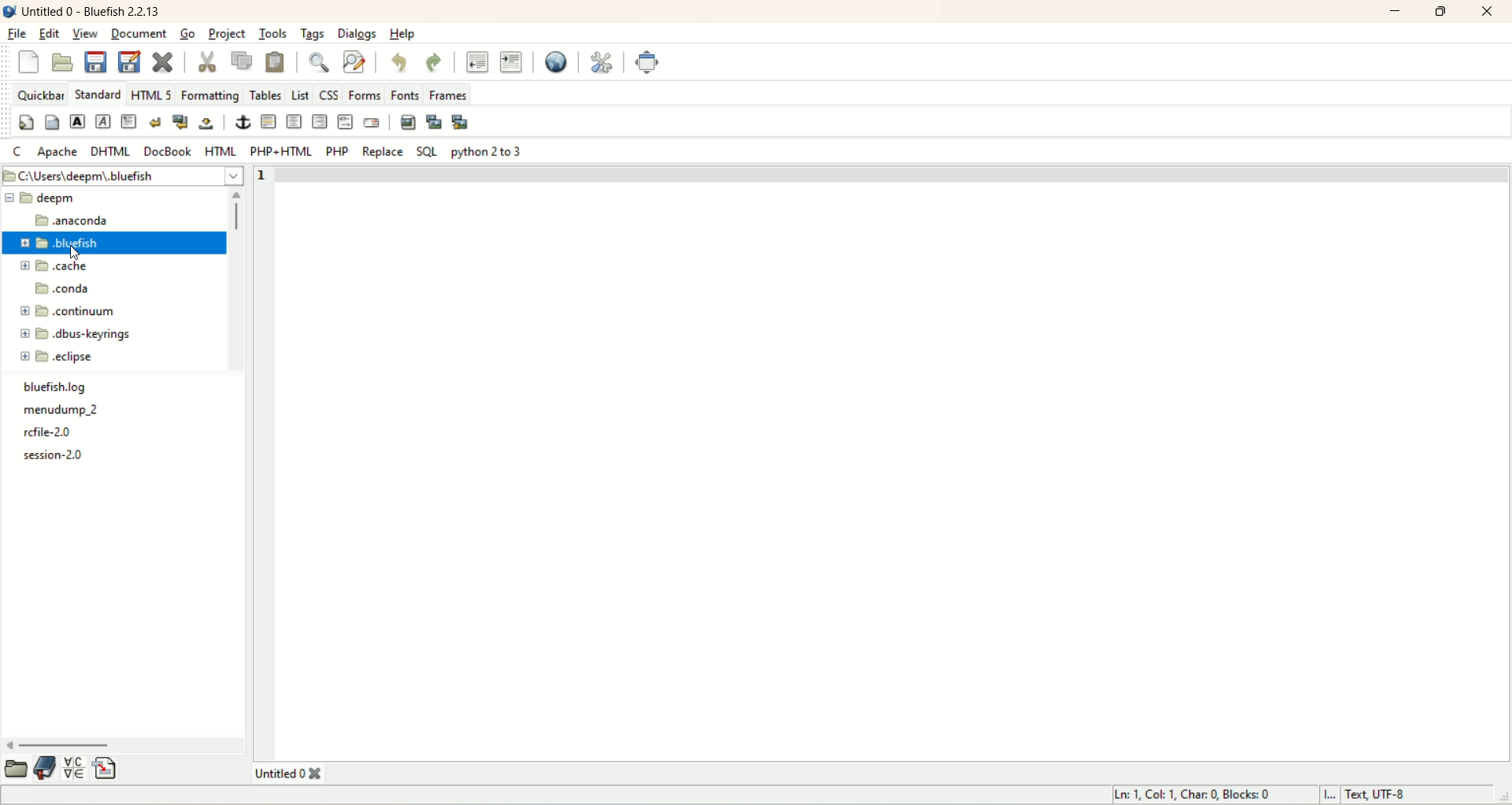 The image size is (1512, 805). Describe the element at coordinates (157, 121) in the screenshot. I see `break` at that location.